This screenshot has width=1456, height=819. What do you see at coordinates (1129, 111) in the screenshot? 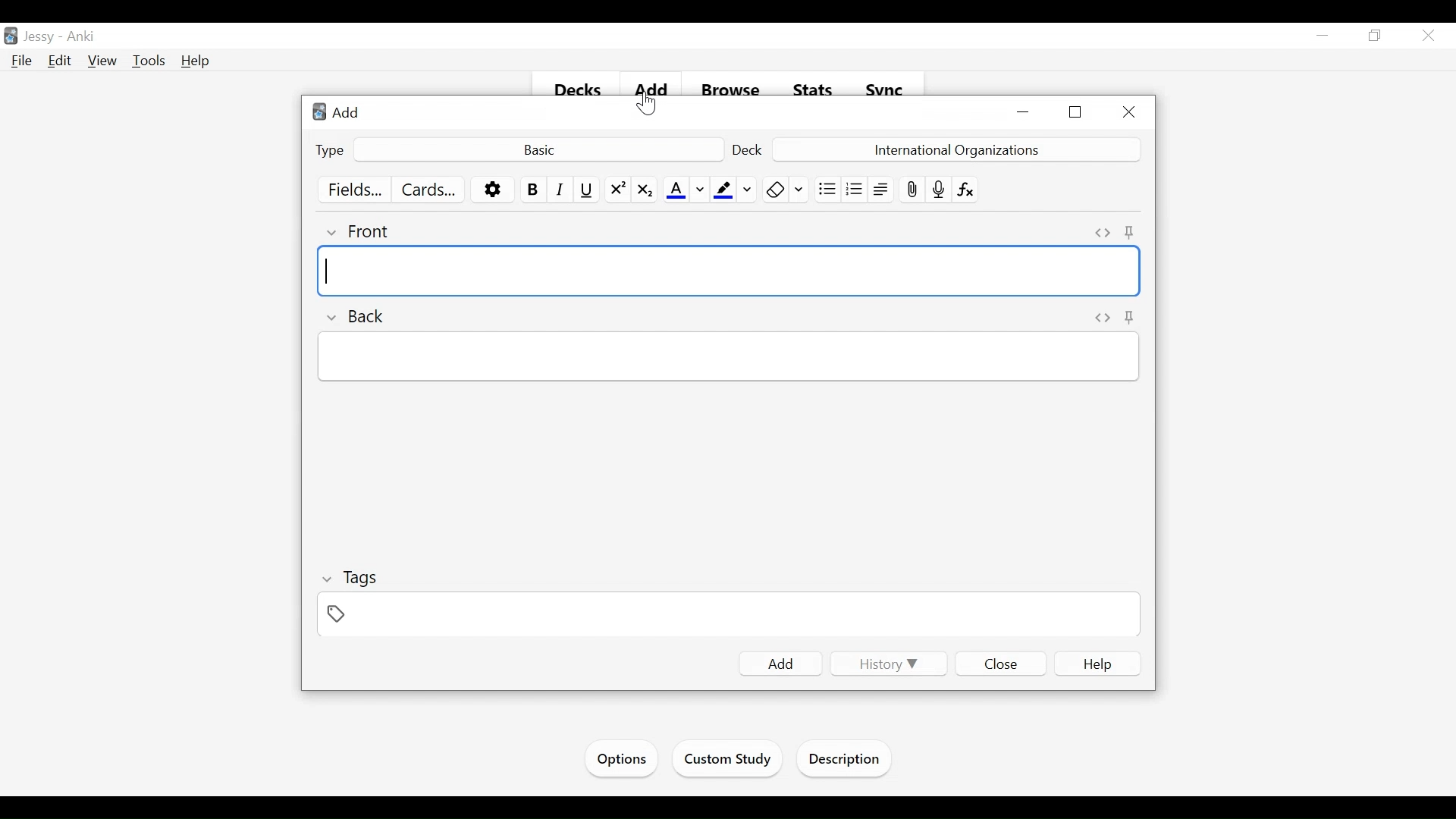
I see `Close` at bounding box center [1129, 111].